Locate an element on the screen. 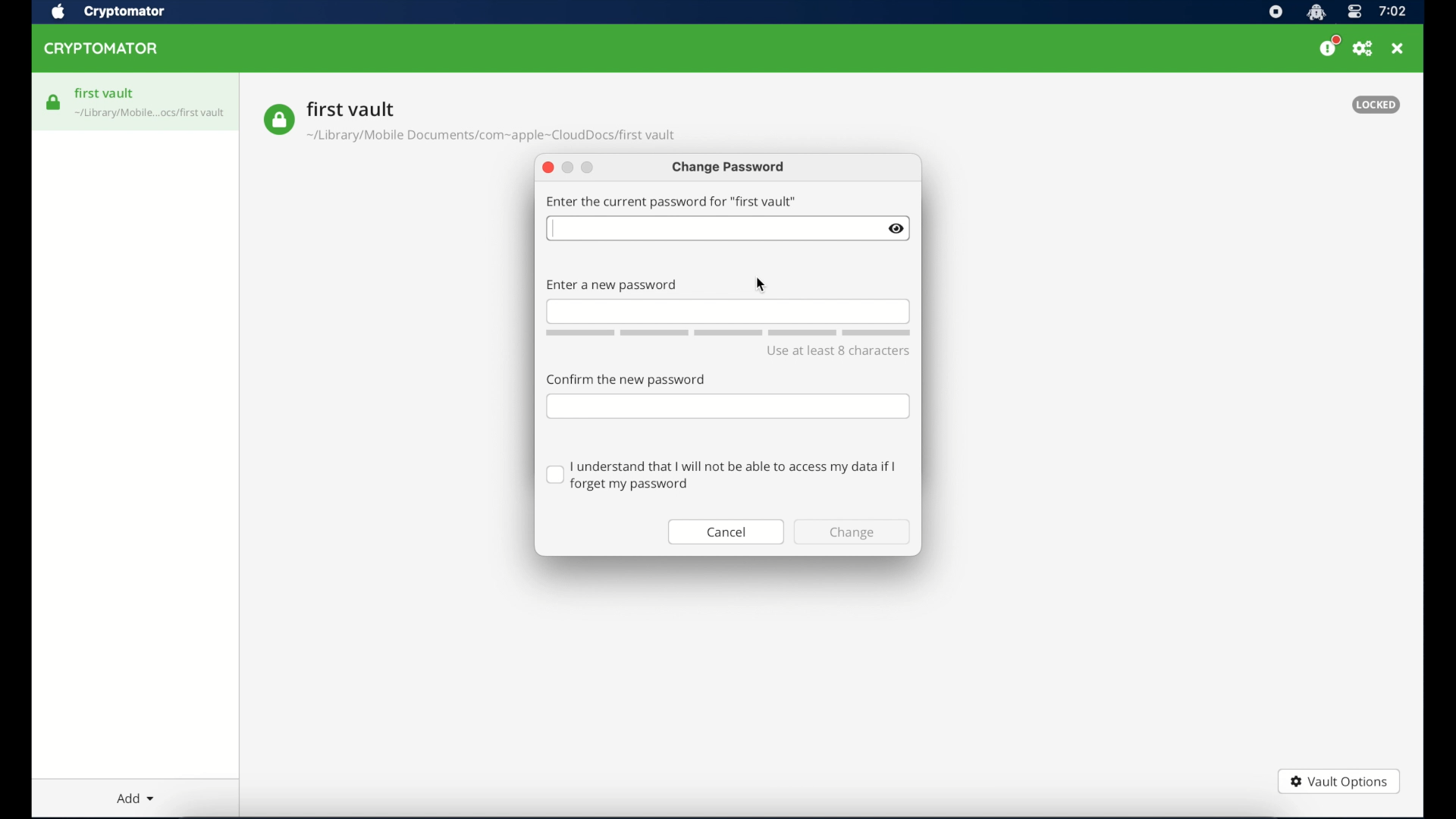 The height and width of the screenshot is (819, 1456). change is located at coordinates (852, 532).